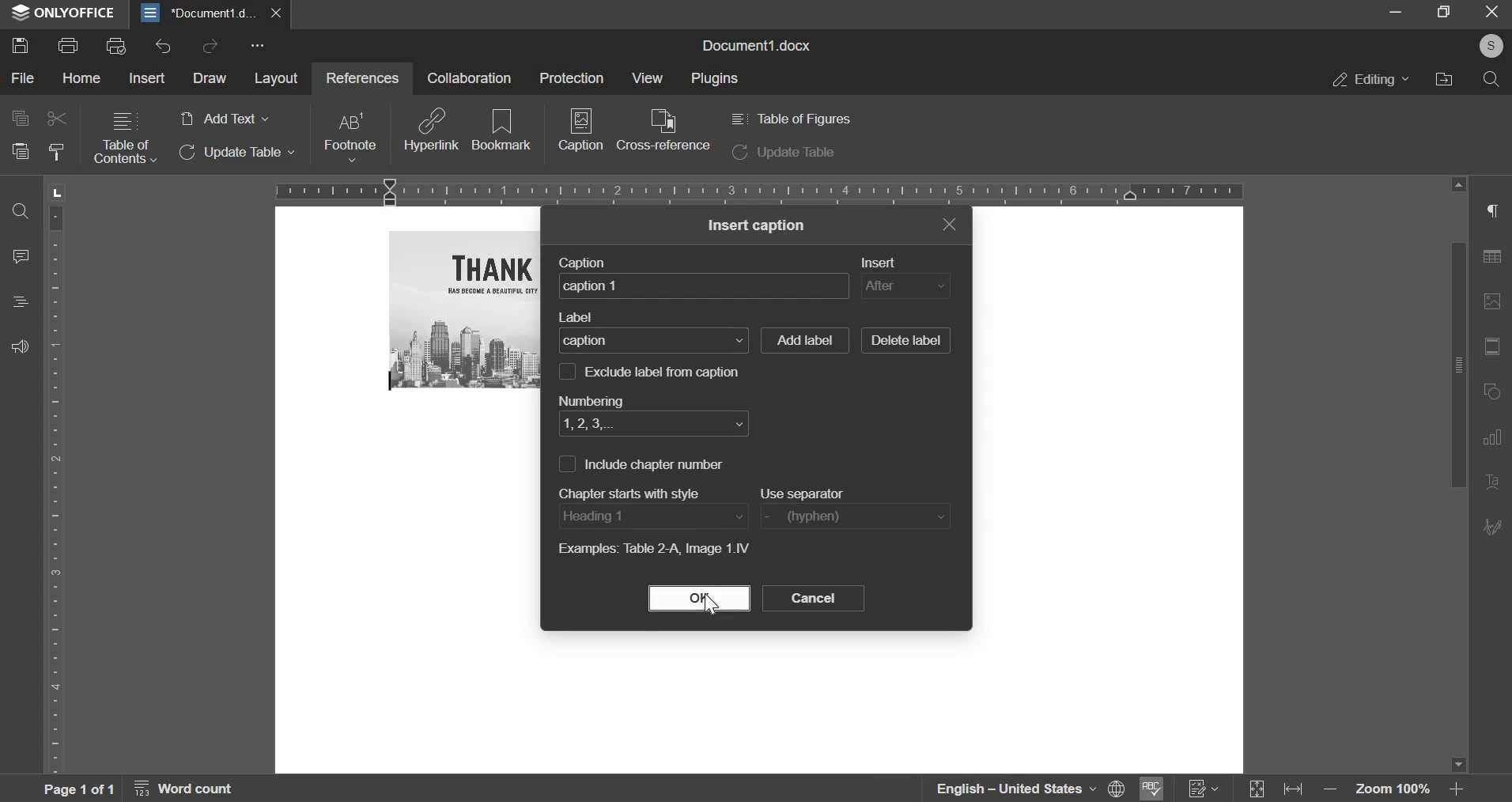 This screenshot has width=1512, height=802. I want to click on cross reference, so click(663, 130).